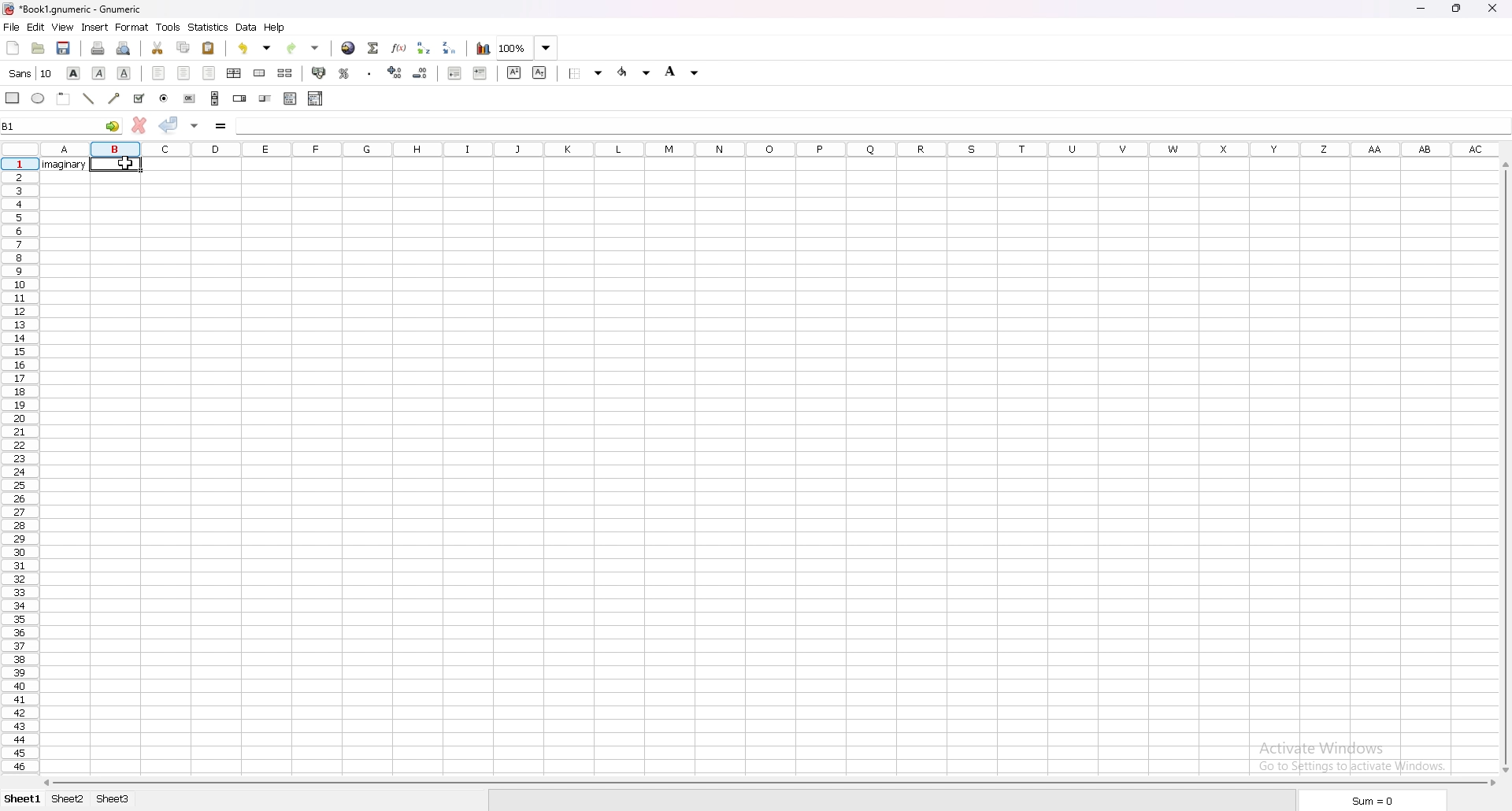 Image resolution: width=1512 pixels, height=811 pixels. What do you see at coordinates (140, 98) in the screenshot?
I see `tickbox` at bounding box center [140, 98].